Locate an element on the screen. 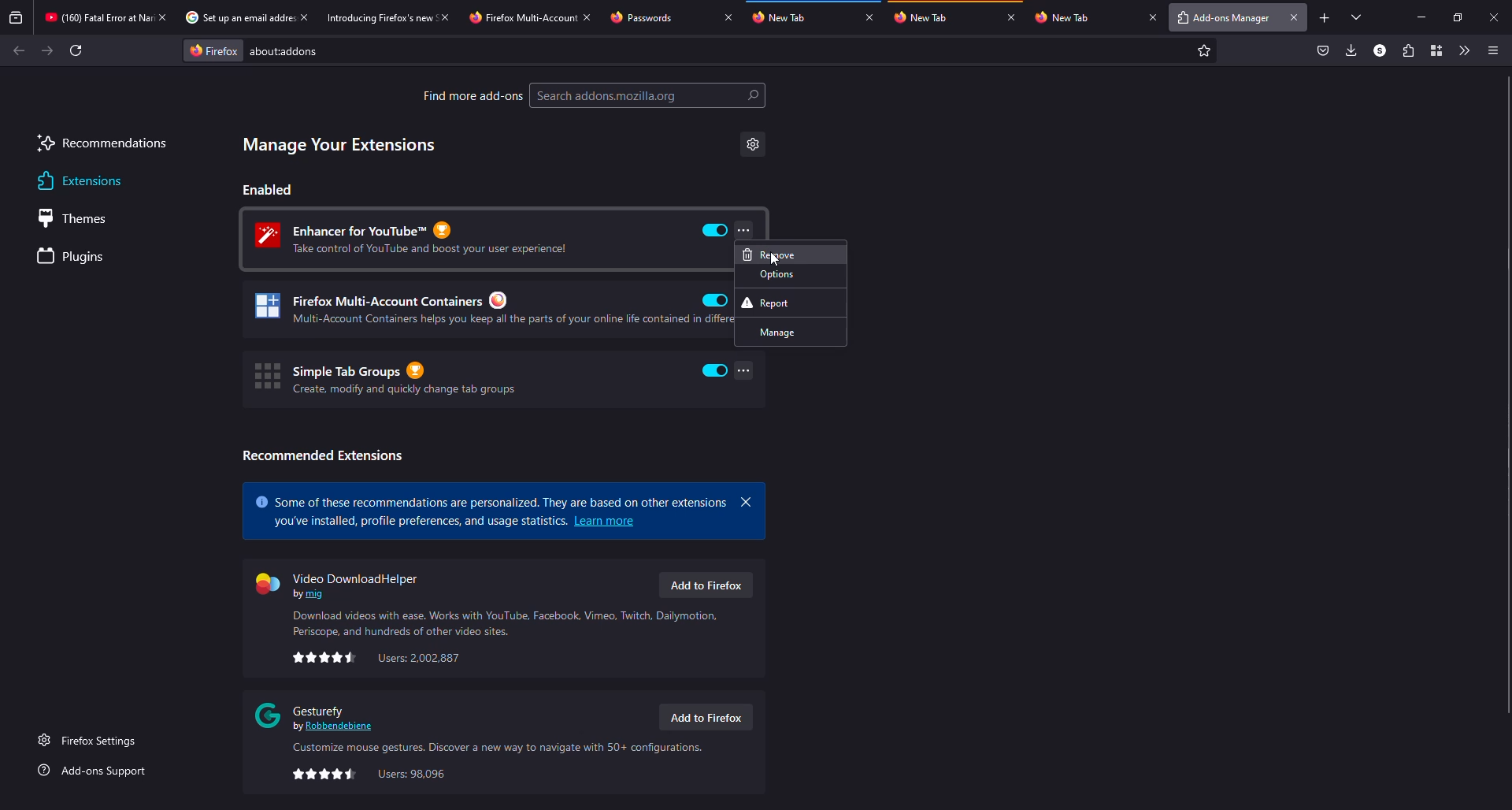  tabs is located at coordinates (1358, 17).